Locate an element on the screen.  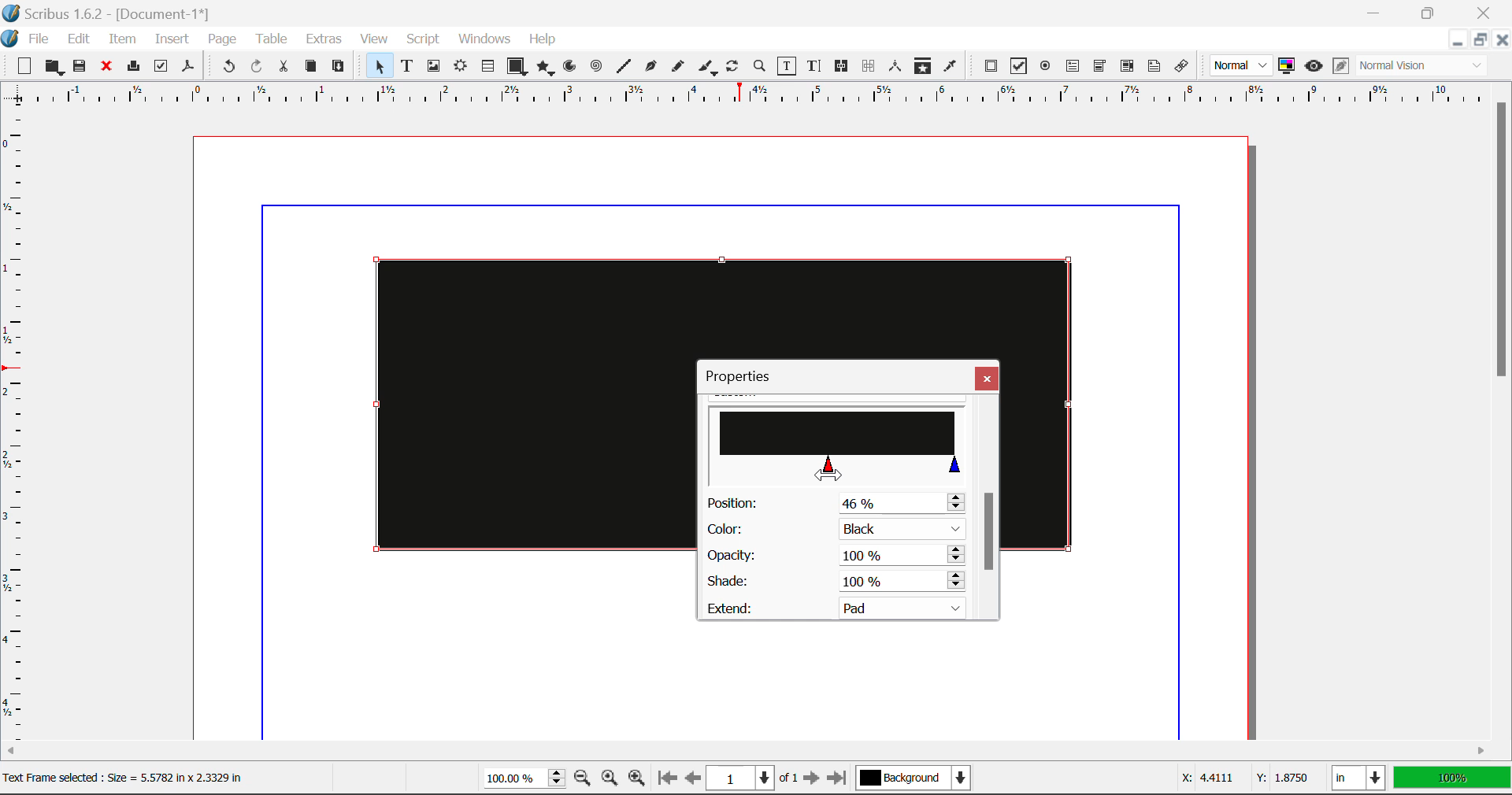
Zoom to 100% is located at coordinates (610, 780).